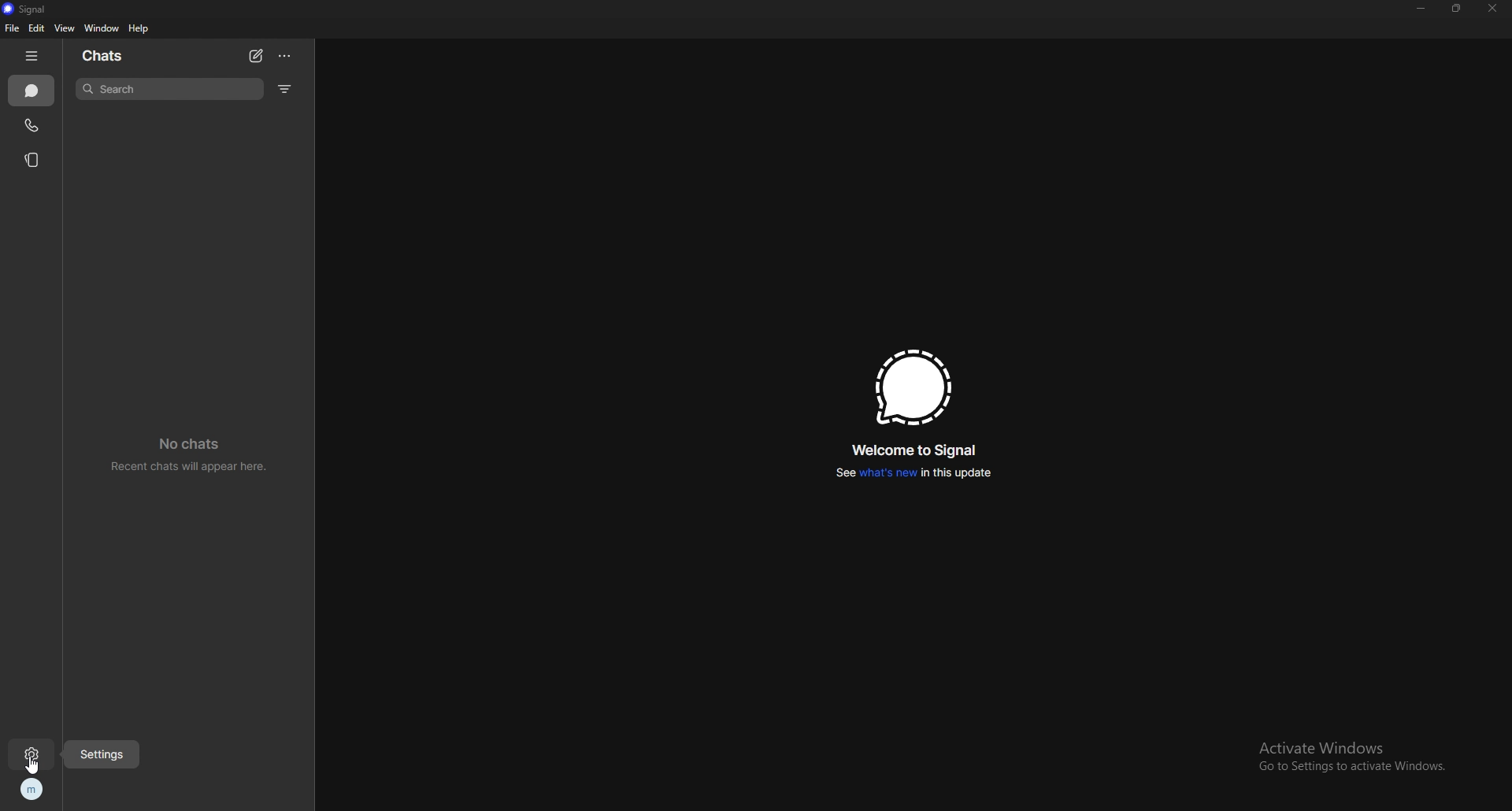 This screenshot has width=1512, height=811. I want to click on cursor, so click(35, 764).